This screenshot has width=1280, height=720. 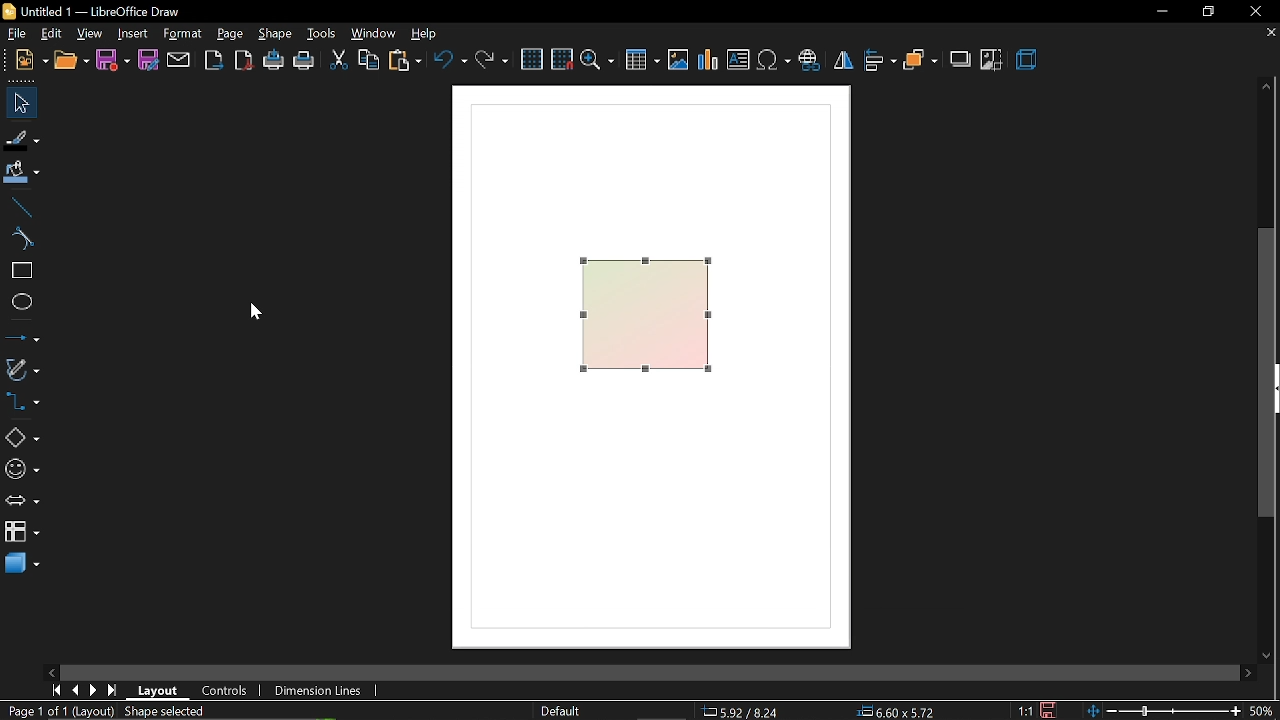 What do you see at coordinates (748, 710) in the screenshot?
I see `co-ordinate (5.92/8.24)` at bounding box center [748, 710].